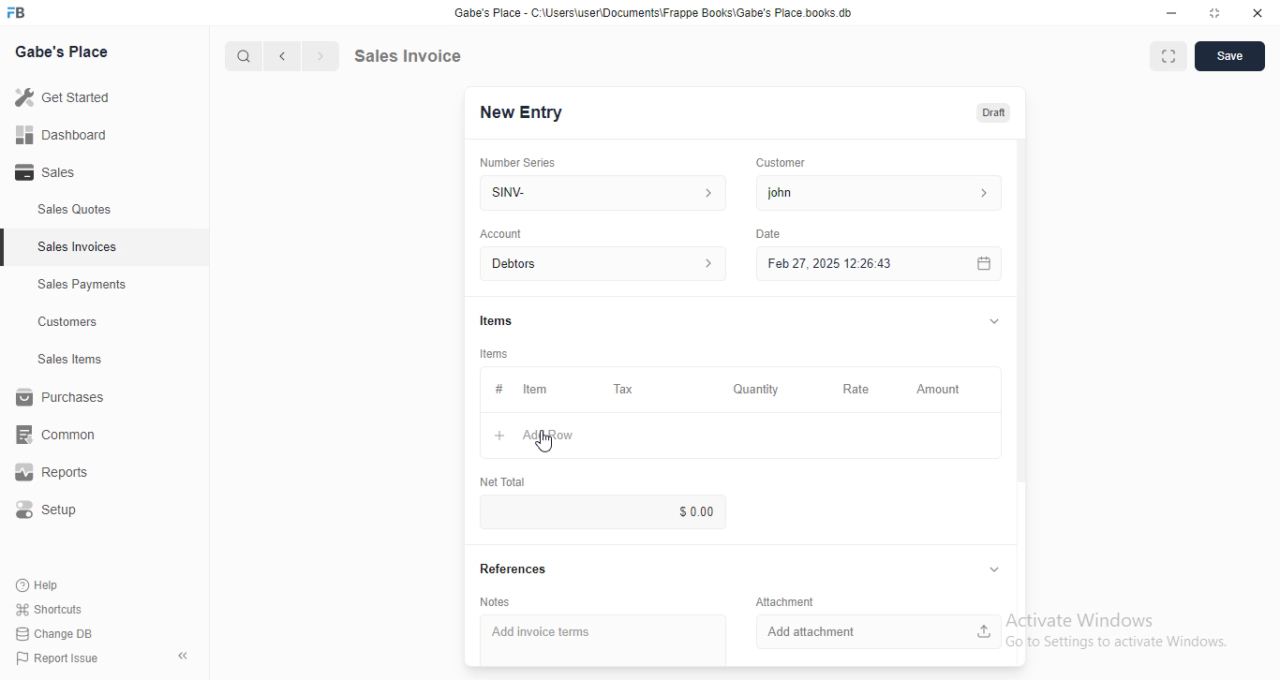 This screenshot has width=1280, height=680. Describe the element at coordinates (989, 321) in the screenshot. I see `Expand` at that location.